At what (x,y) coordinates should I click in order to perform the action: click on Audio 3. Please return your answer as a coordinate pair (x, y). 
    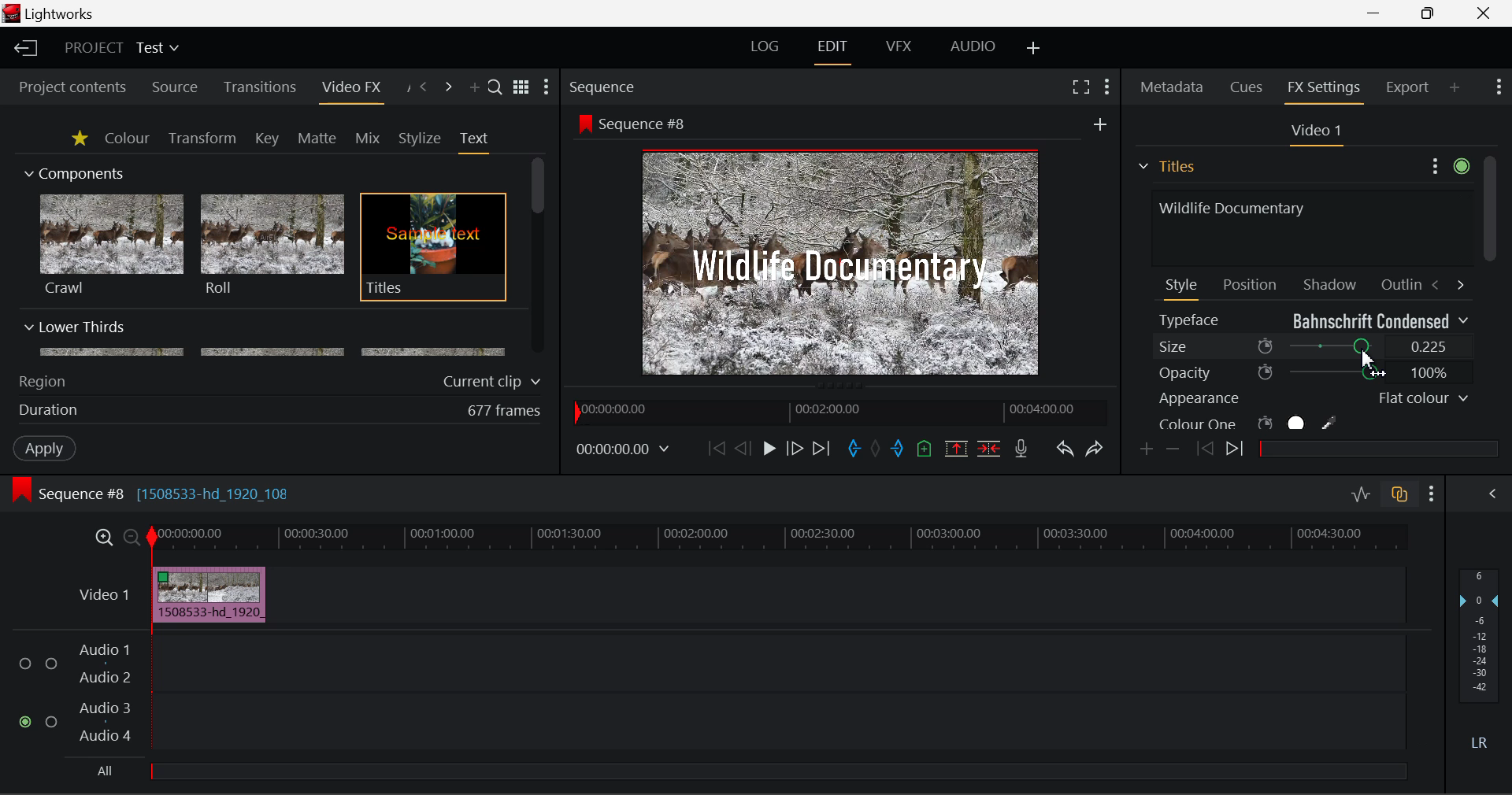
    Looking at the image, I should click on (104, 707).